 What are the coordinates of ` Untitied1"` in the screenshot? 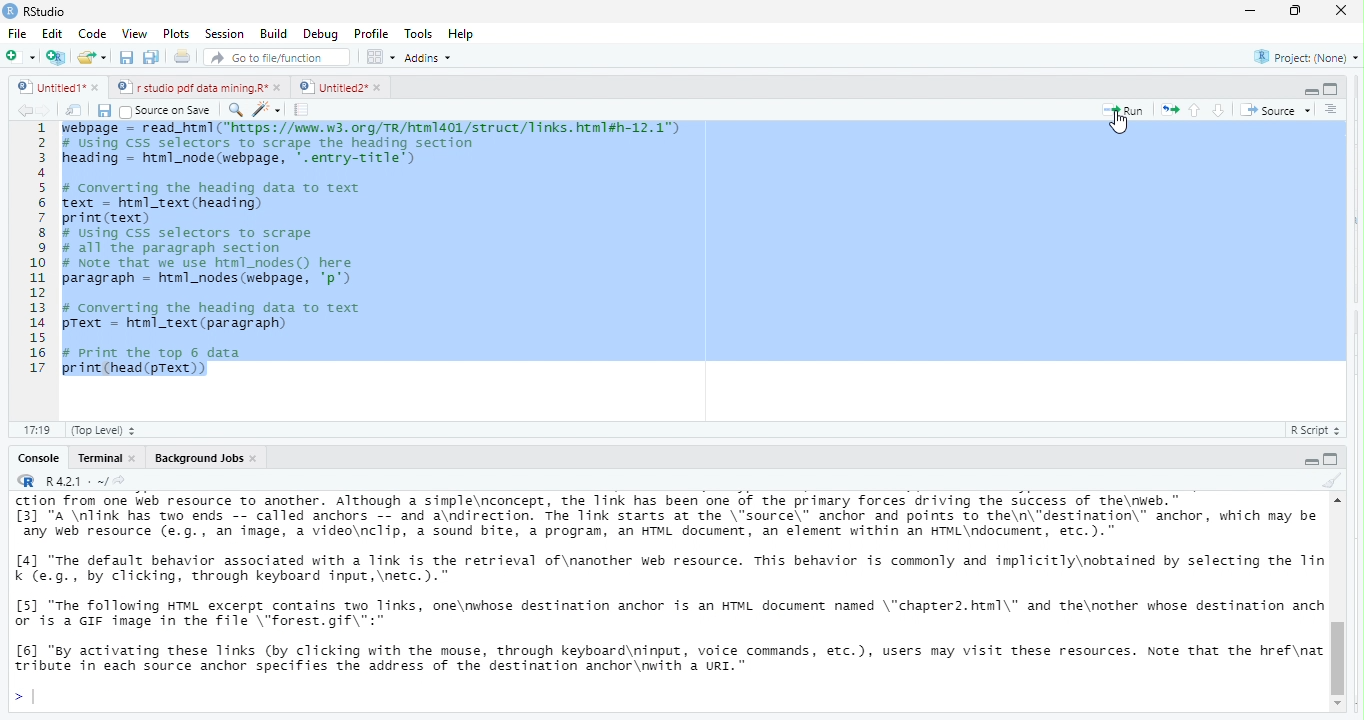 It's located at (47, 87).